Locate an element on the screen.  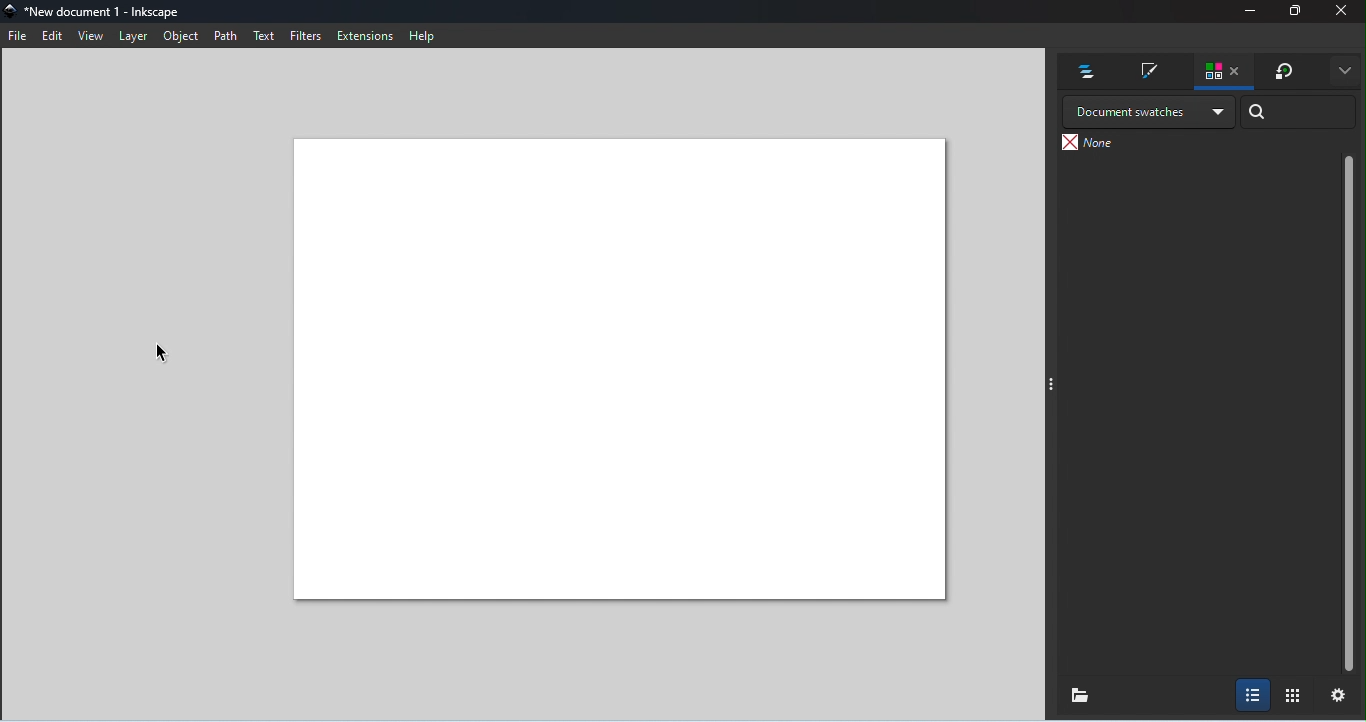
Show colors in a grid is located at coordinates (1293, 694).